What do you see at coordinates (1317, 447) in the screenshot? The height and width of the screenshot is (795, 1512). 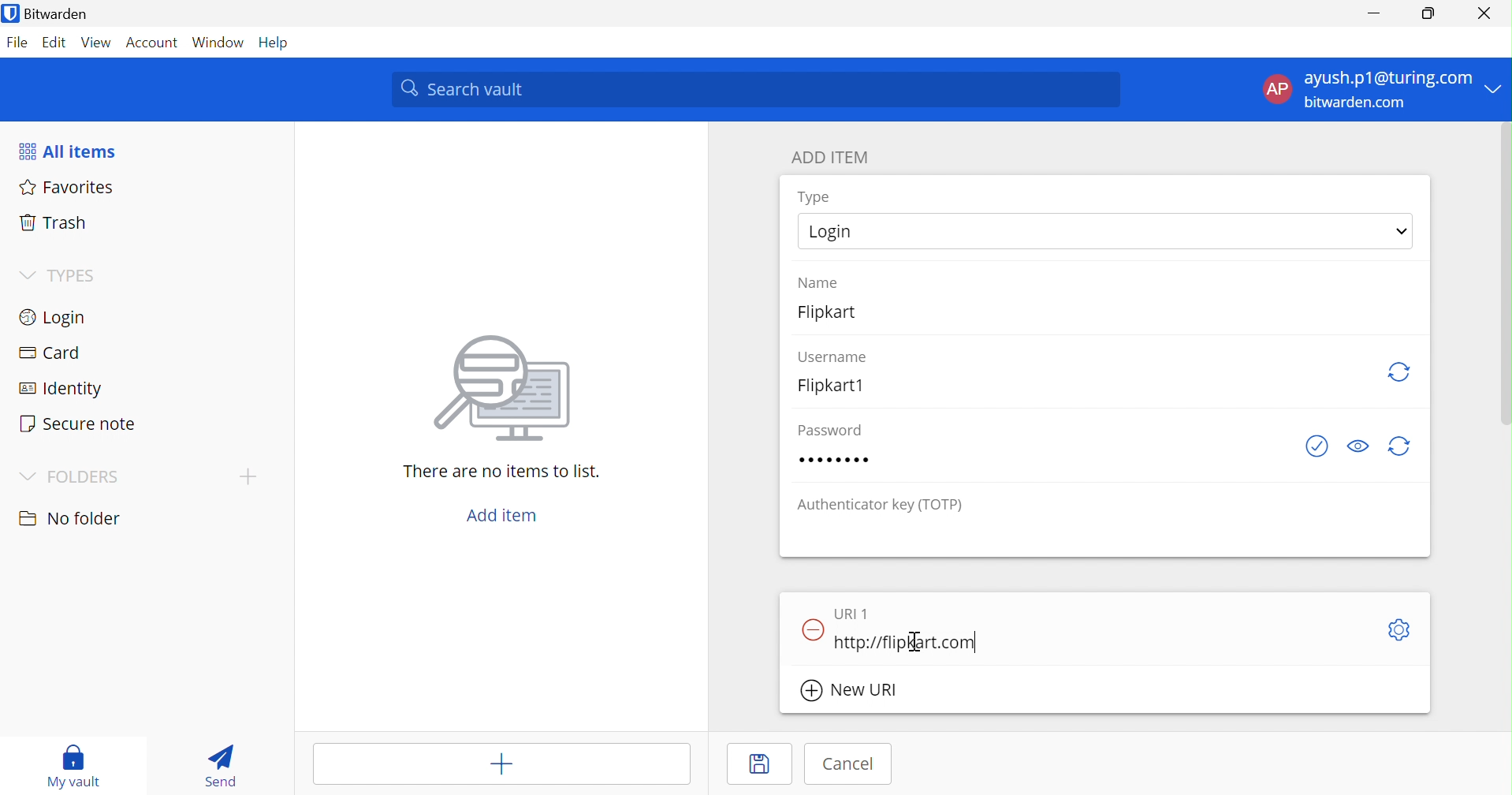 I see `See if password has been exposed` at bounding box center [1317, 447].